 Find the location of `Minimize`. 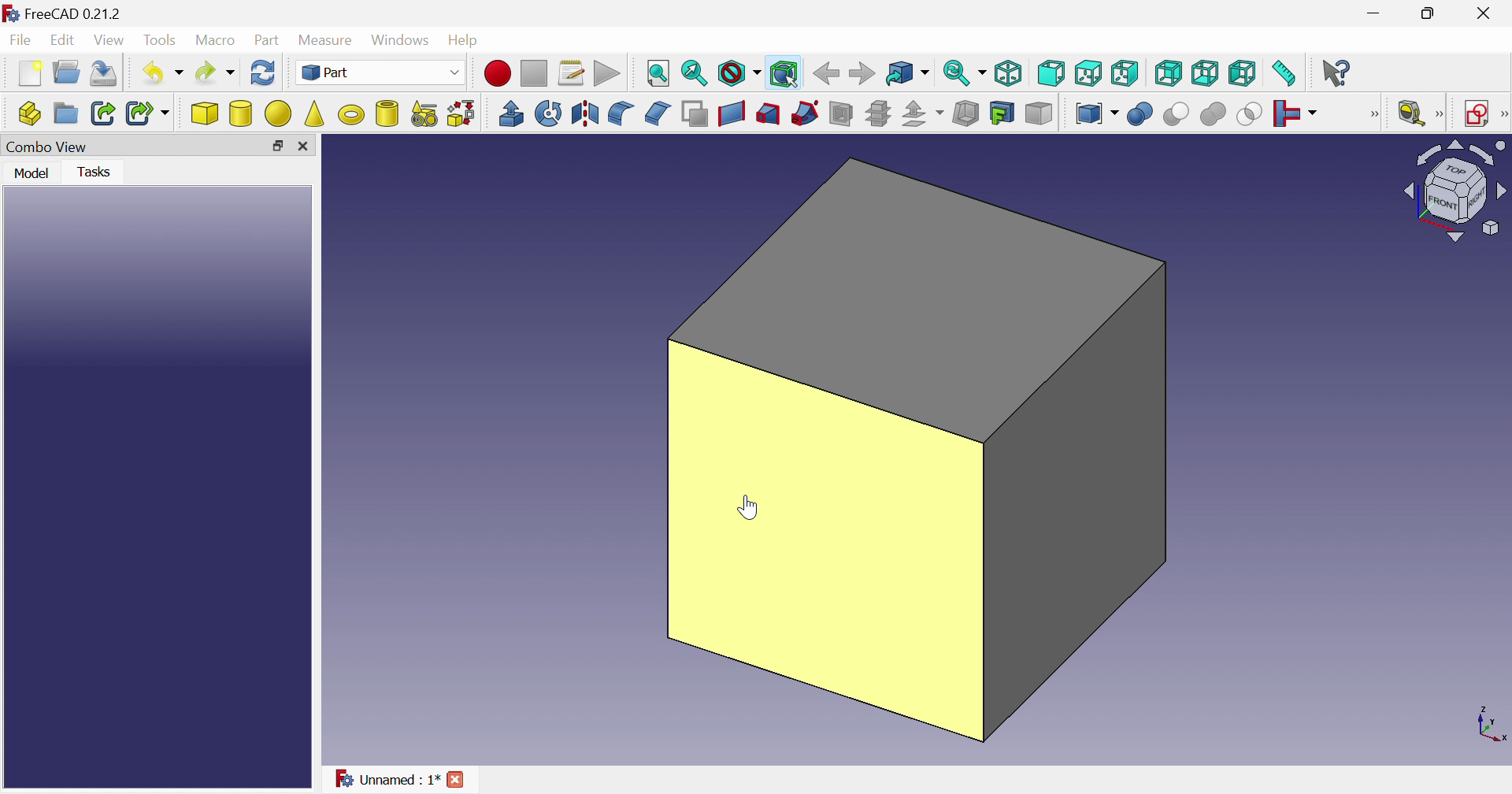

Minimize is located at coordinates (1377, 13).